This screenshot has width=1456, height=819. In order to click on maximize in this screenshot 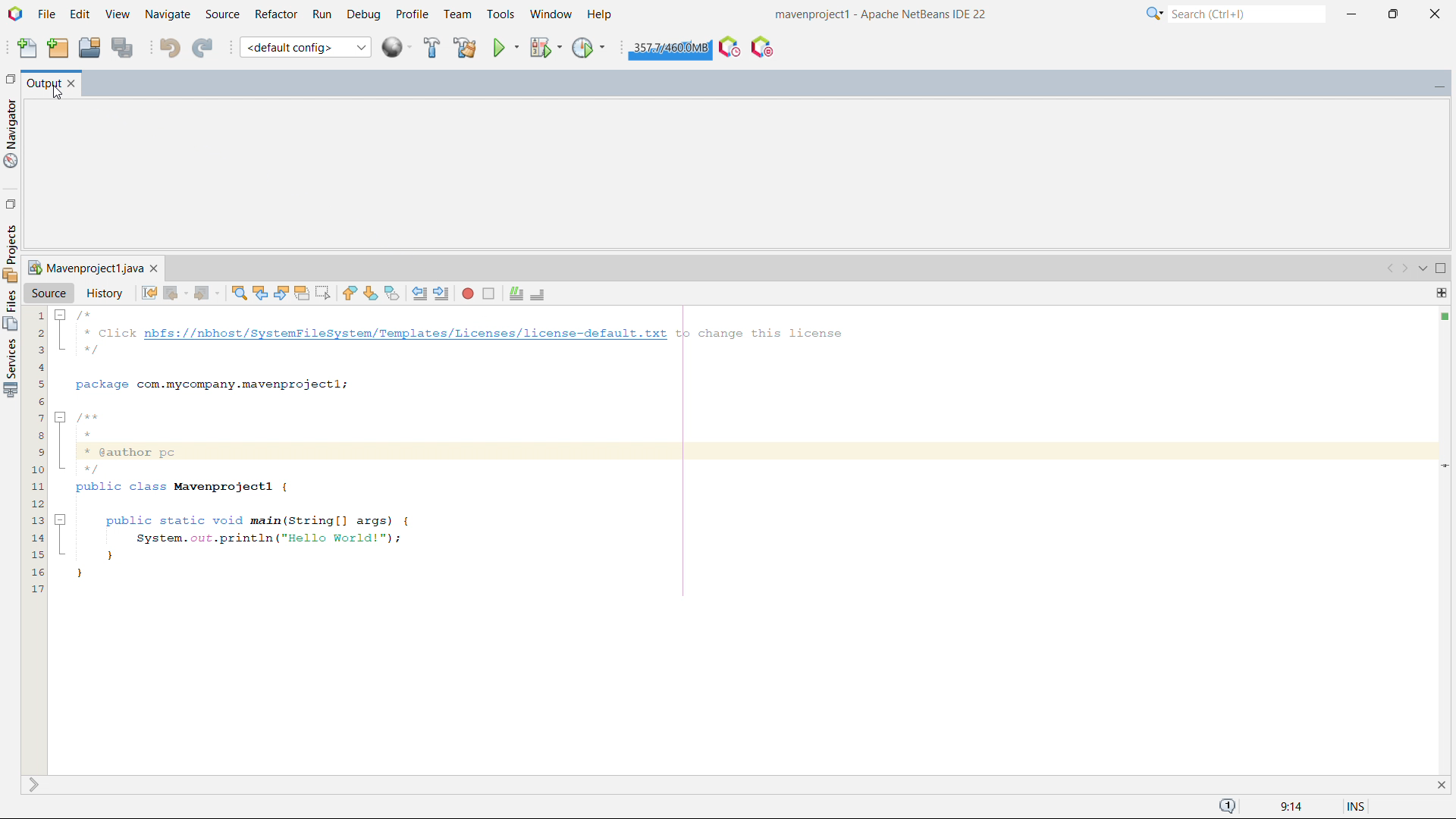, I will do `click(1441, 269)`.